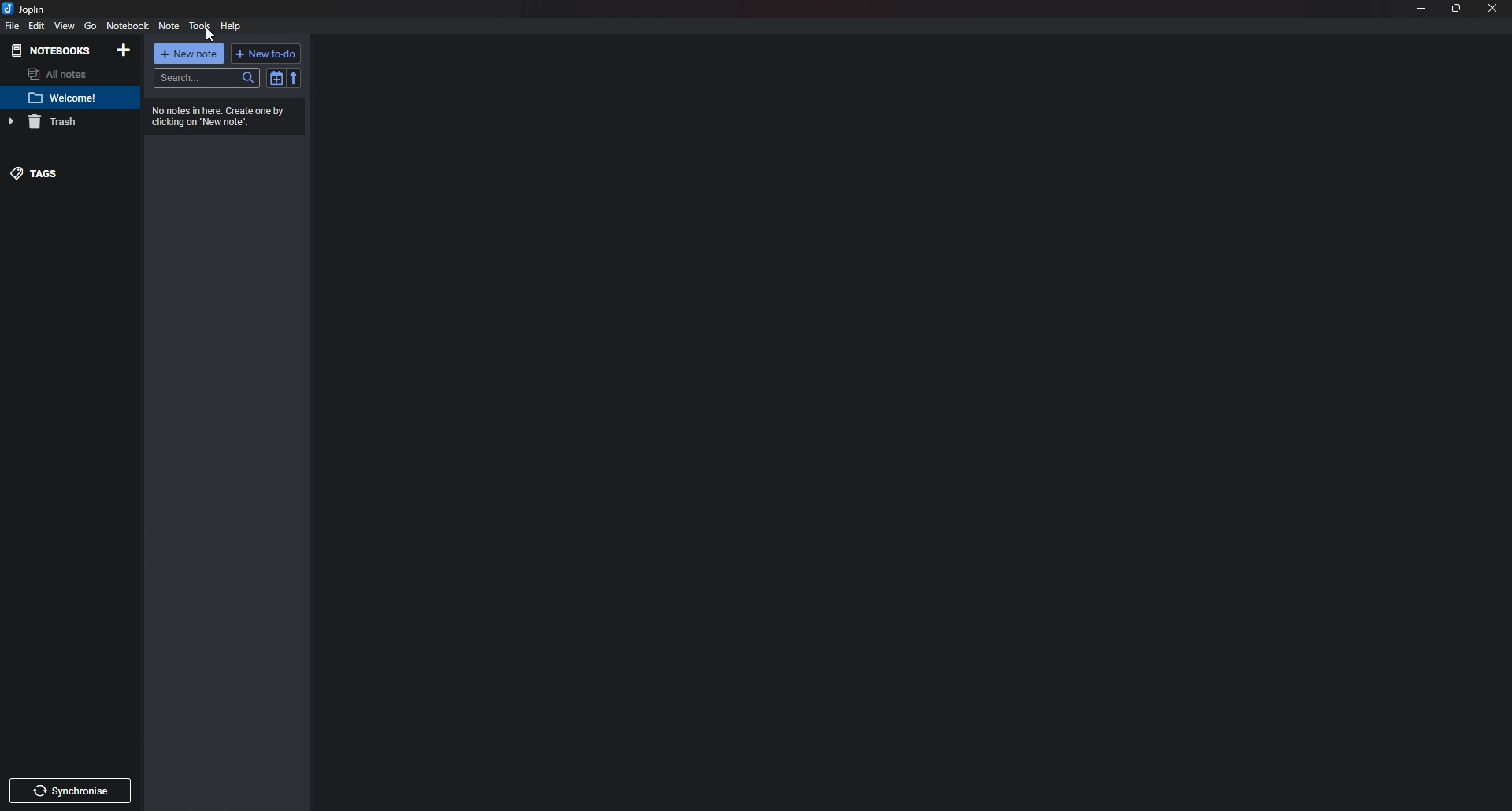 This screenshot has height=811, width=1512. Describe the element at coordinates (1420, 9) in the screenshot. I see `Minimize` at that location.